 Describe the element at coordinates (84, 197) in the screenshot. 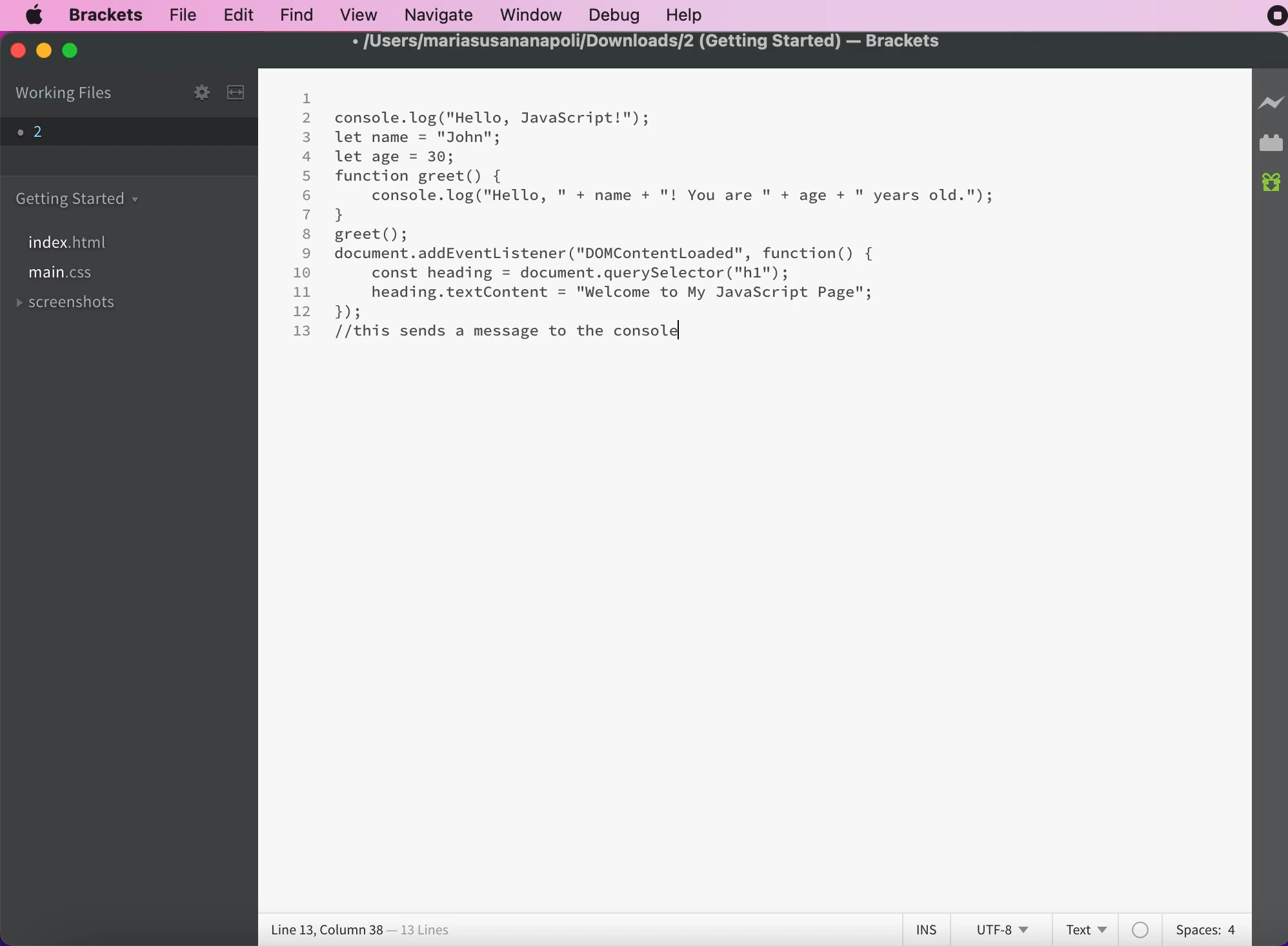

I see `getting started folder` at that location.